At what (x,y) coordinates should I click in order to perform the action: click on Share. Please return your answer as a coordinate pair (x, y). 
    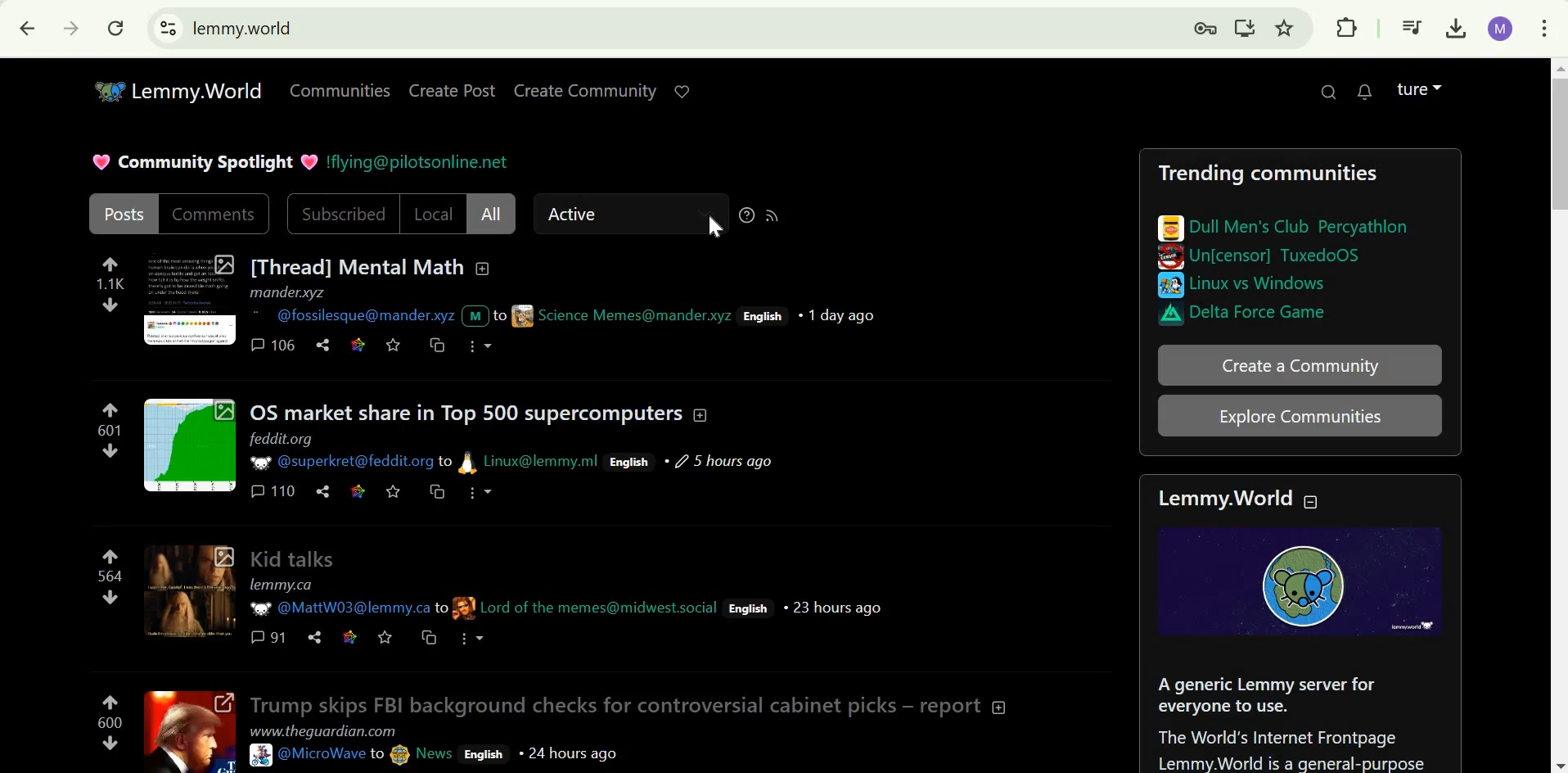
    Looking at the image, I should click on (323, 346).